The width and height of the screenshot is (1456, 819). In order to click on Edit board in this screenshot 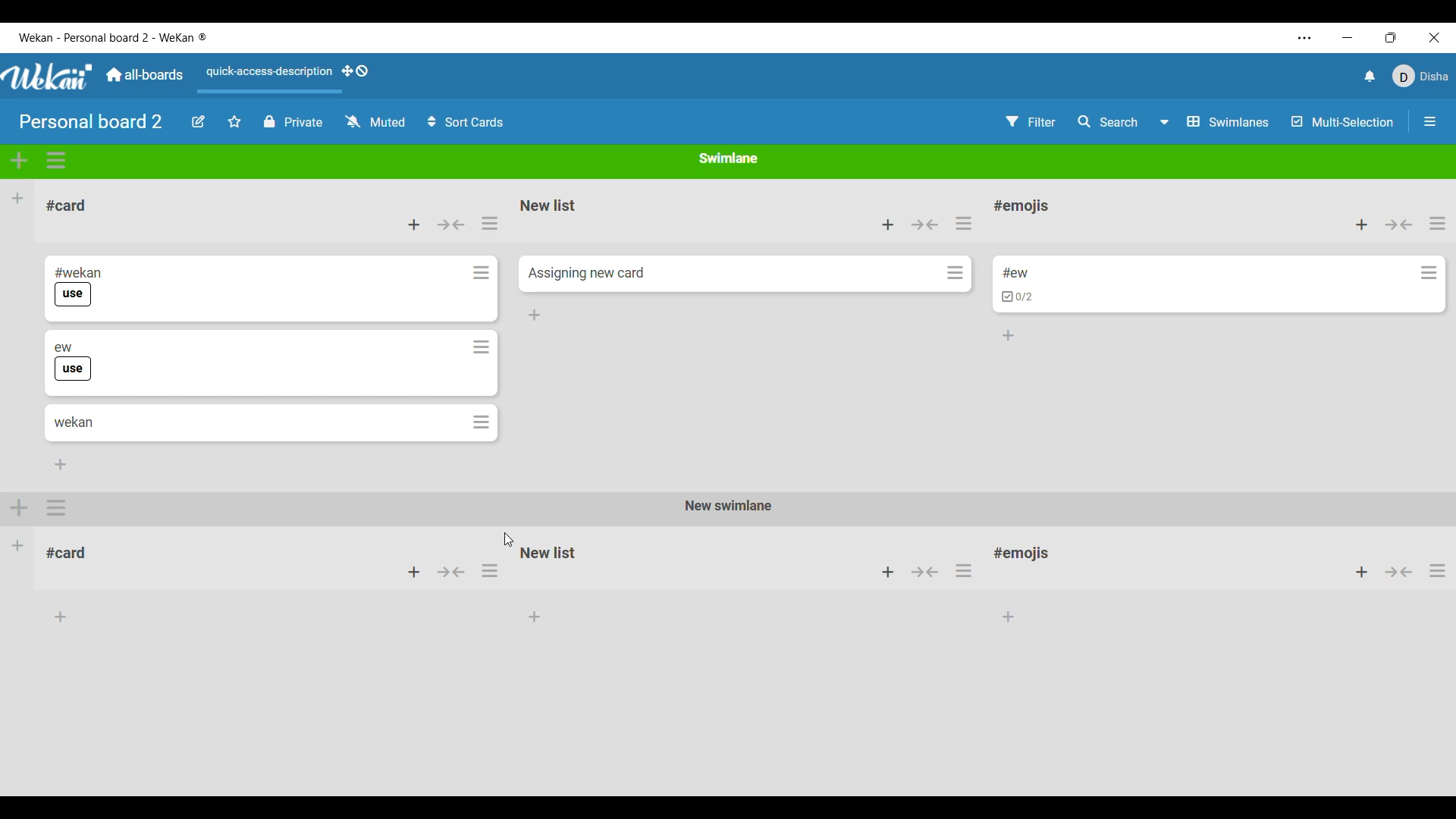, I will do `click(199, 121)`.